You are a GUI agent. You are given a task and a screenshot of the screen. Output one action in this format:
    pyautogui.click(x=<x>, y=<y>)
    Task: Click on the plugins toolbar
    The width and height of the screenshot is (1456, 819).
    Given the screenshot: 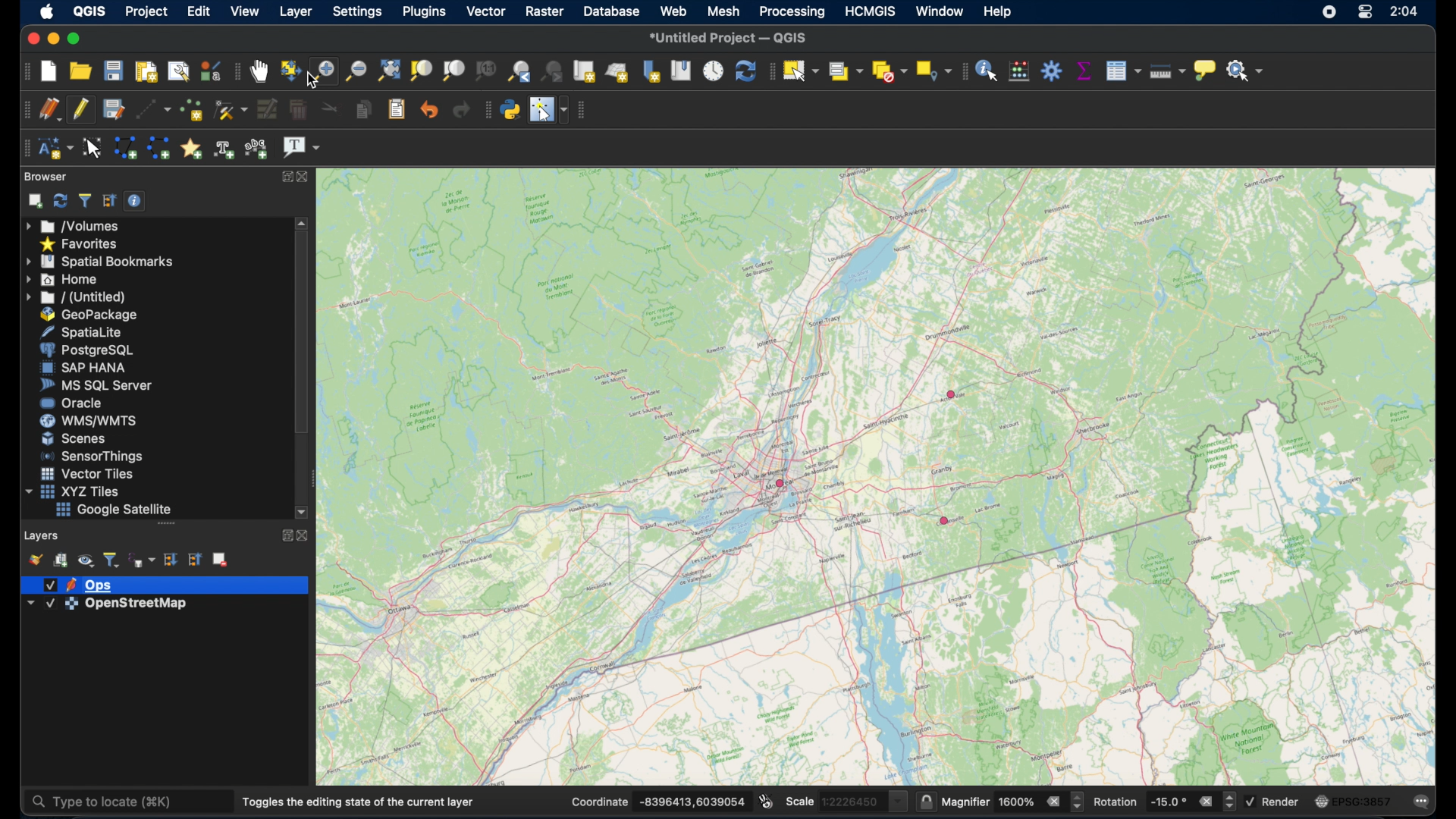 What is the action you would take?
    pyautogui.click(x=484, y=110)
    